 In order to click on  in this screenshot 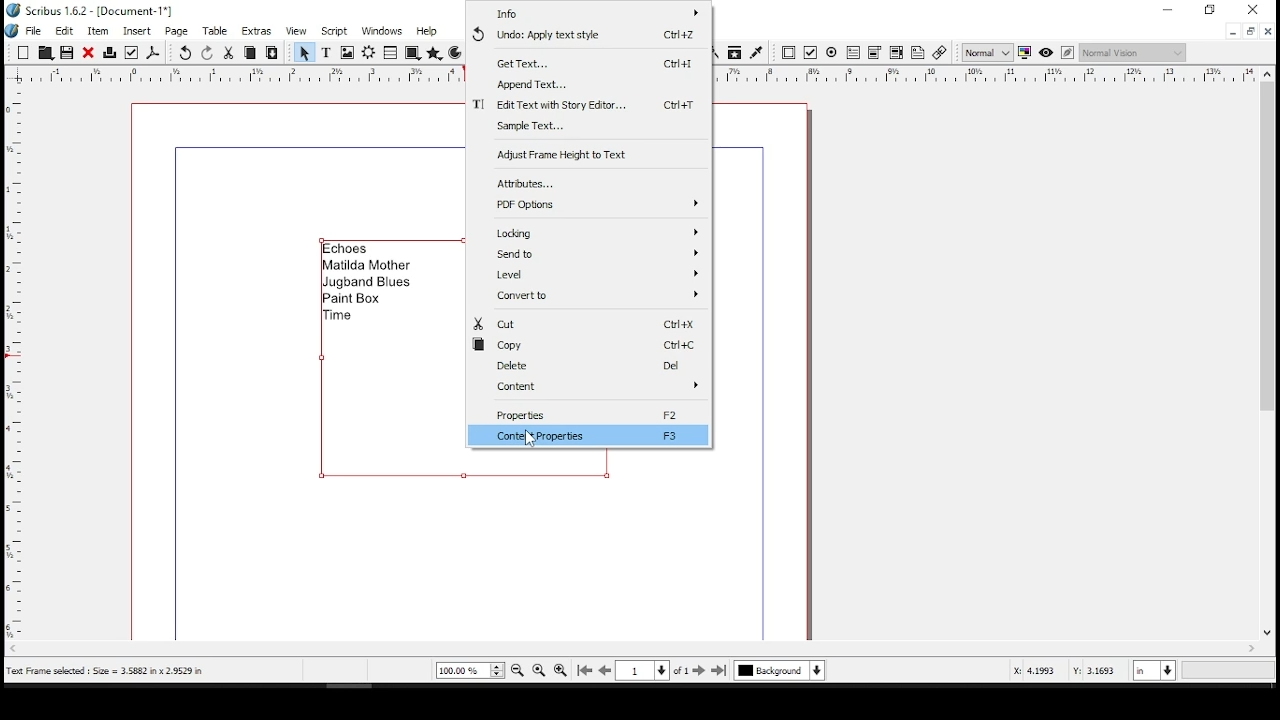, I will do `click(45, 52)`.